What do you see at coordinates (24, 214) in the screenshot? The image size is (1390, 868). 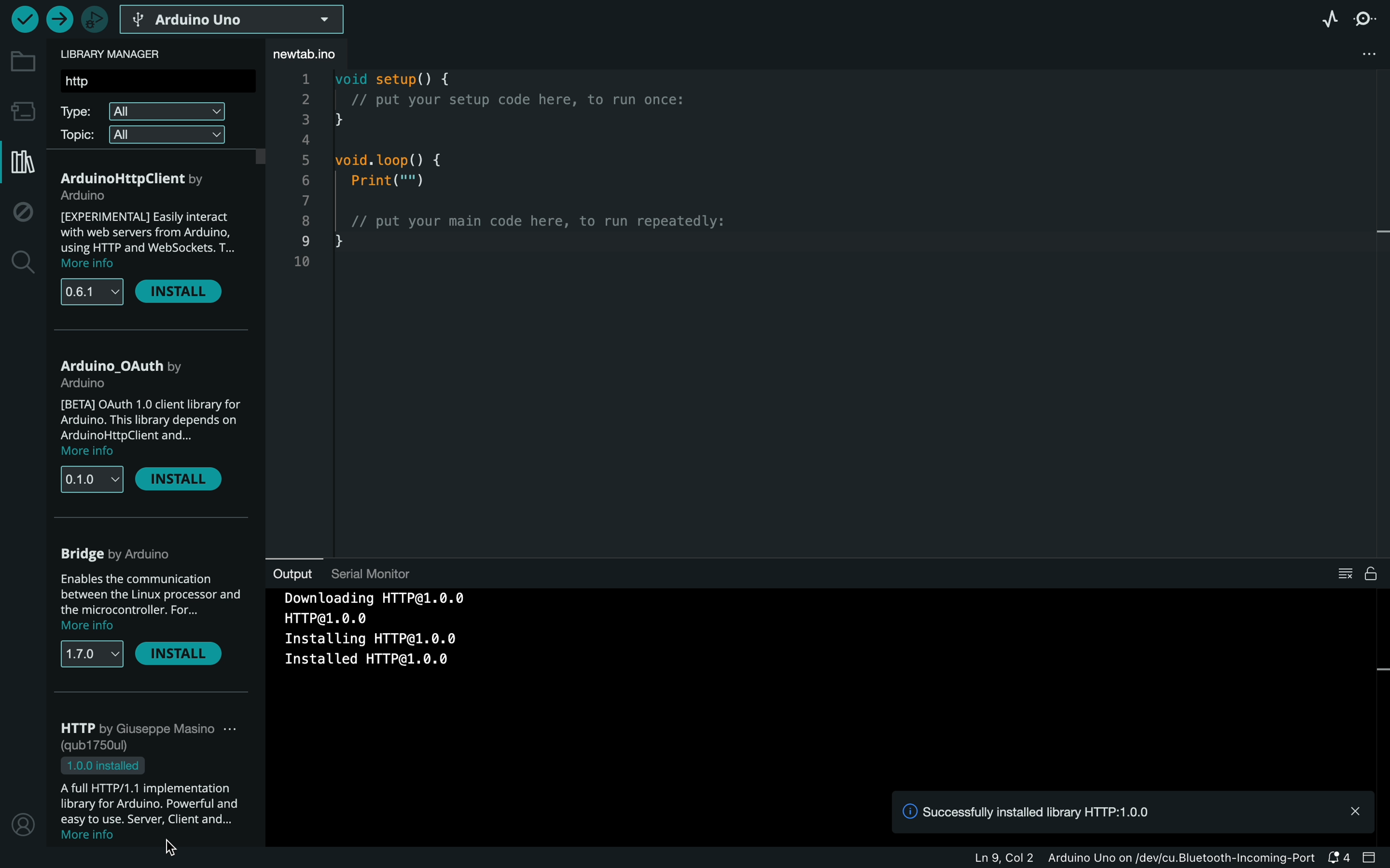 I see `debug` at bounding box center [24, 214].